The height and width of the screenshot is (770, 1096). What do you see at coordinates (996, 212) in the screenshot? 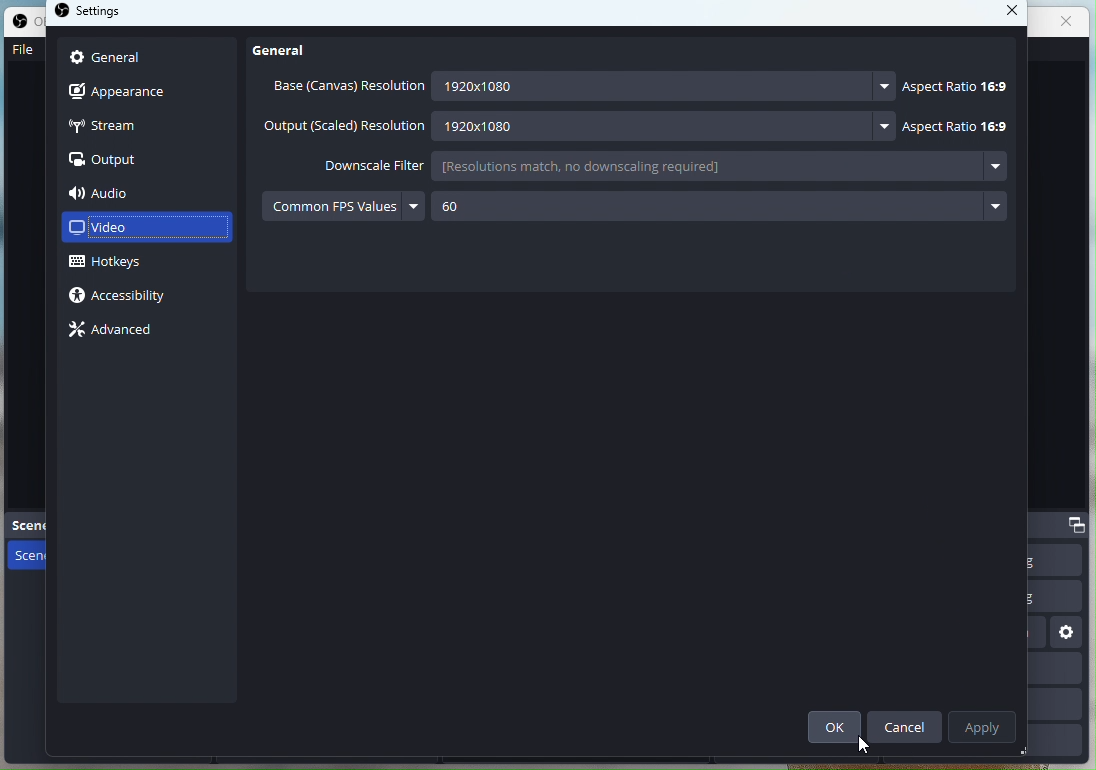
I see `more options` at bounding box center [996, 212].